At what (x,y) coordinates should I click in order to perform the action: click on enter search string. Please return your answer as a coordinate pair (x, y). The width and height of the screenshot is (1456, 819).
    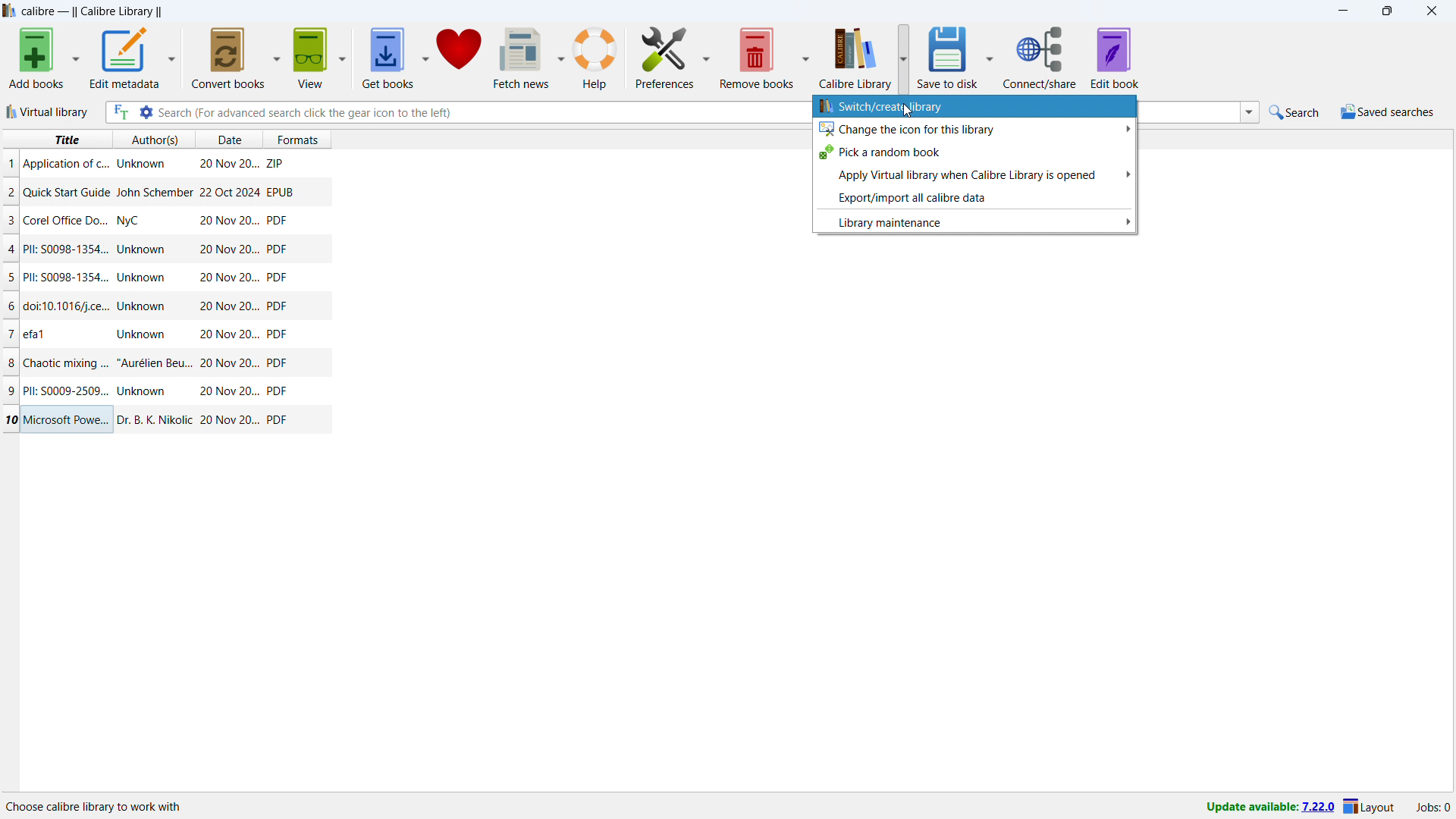
    Looking at the image, I should click on (482, 111).